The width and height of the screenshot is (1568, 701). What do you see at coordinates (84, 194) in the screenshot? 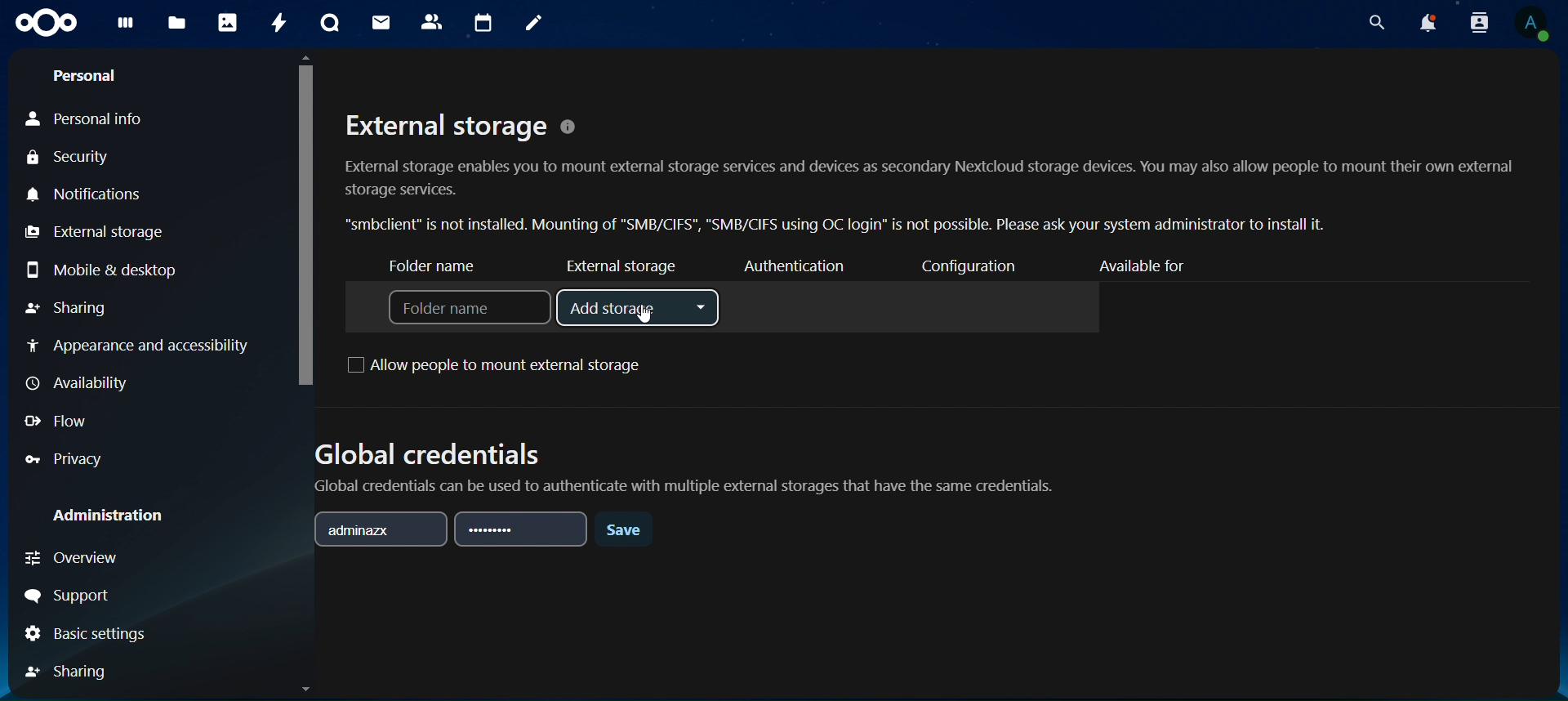
I see `notifications` at bounding box center [84, 194].